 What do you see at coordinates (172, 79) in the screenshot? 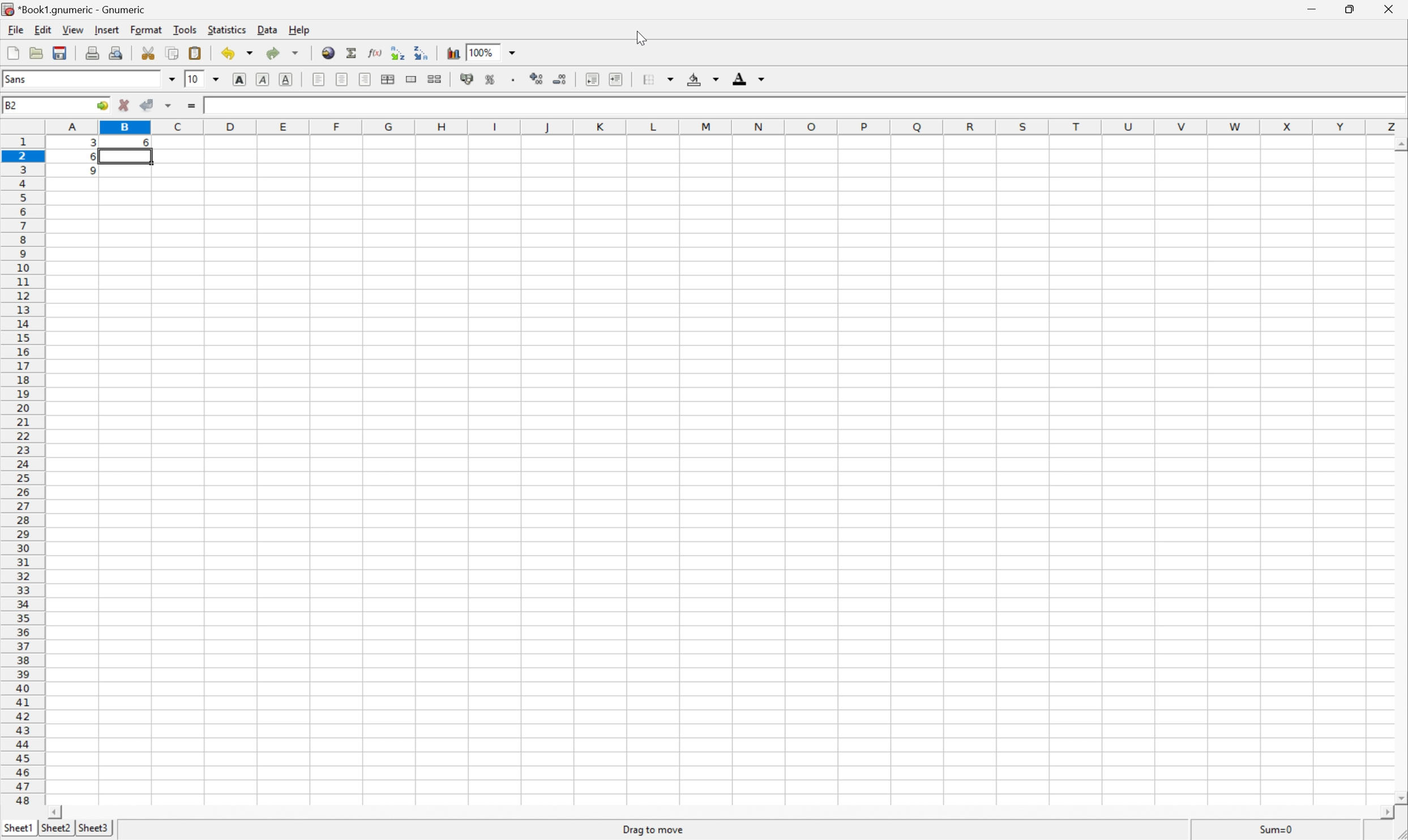
I see `Drop Down` at bounding box center [172, 79].